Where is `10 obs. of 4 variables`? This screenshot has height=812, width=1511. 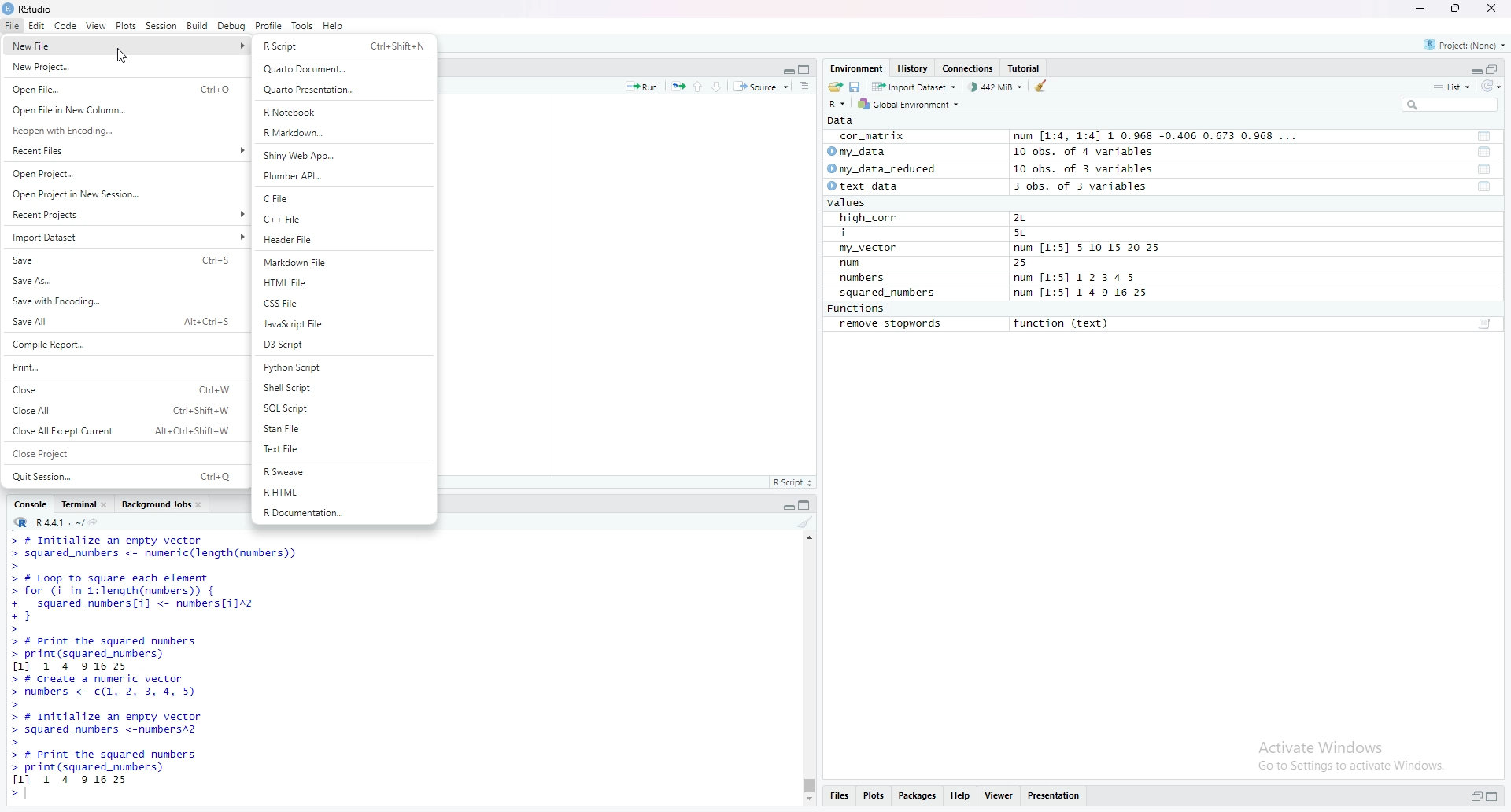
10 obs. of 4 variables is located at coordinates (1097, 151).